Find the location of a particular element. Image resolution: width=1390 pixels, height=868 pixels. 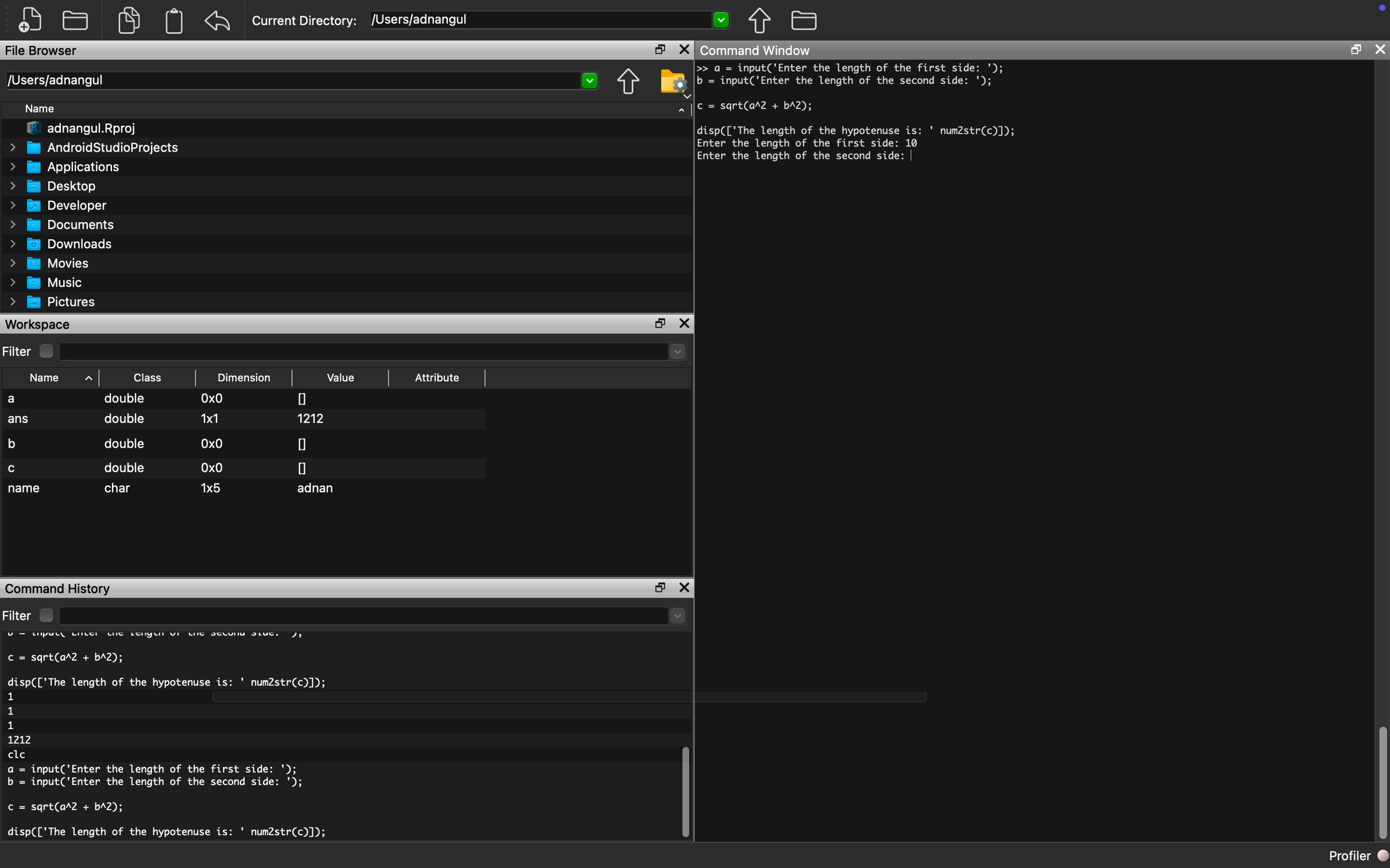

double is located at coordinates (123, 423).